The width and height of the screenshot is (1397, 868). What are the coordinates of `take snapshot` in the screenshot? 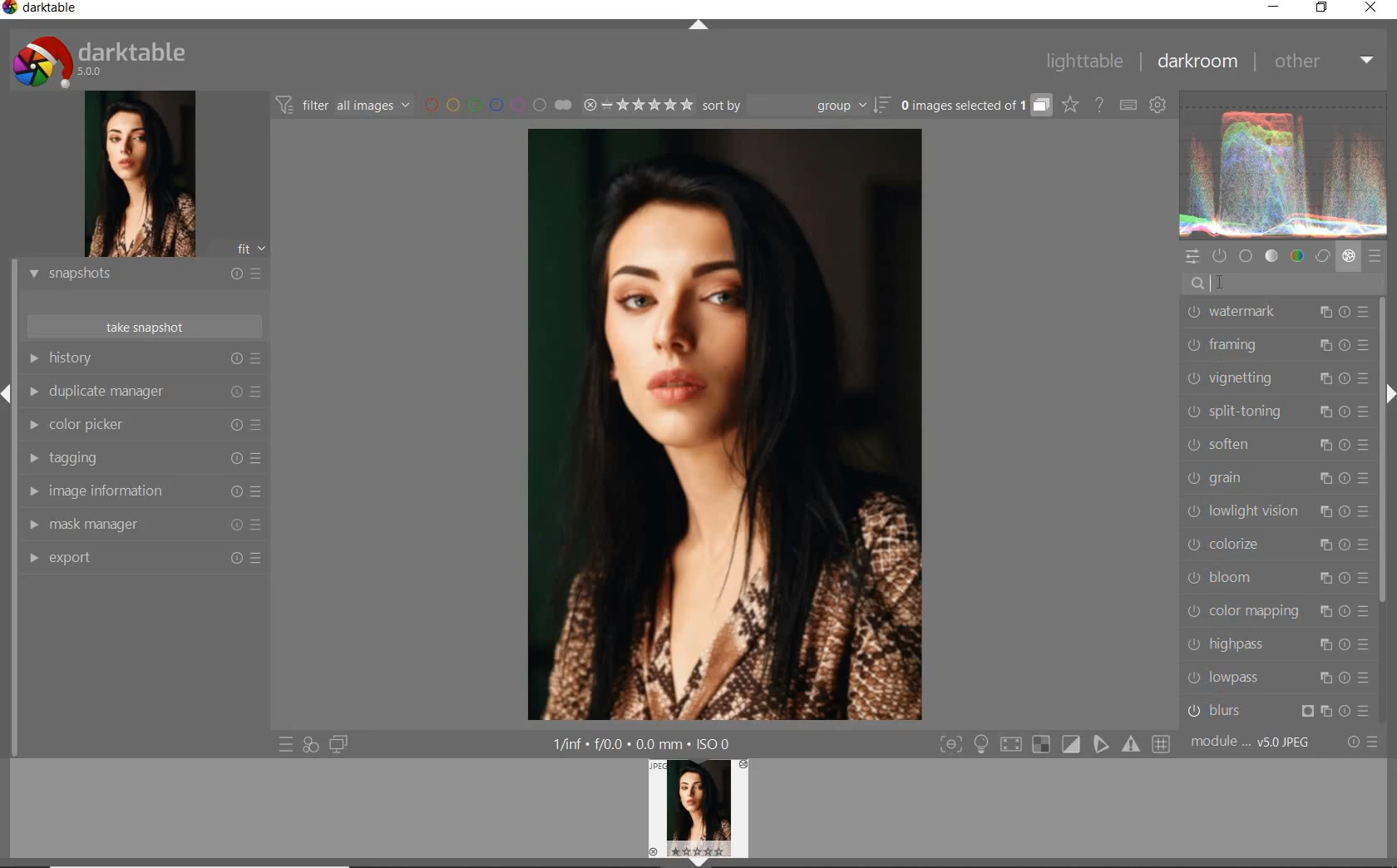 It's located at (143, 328).